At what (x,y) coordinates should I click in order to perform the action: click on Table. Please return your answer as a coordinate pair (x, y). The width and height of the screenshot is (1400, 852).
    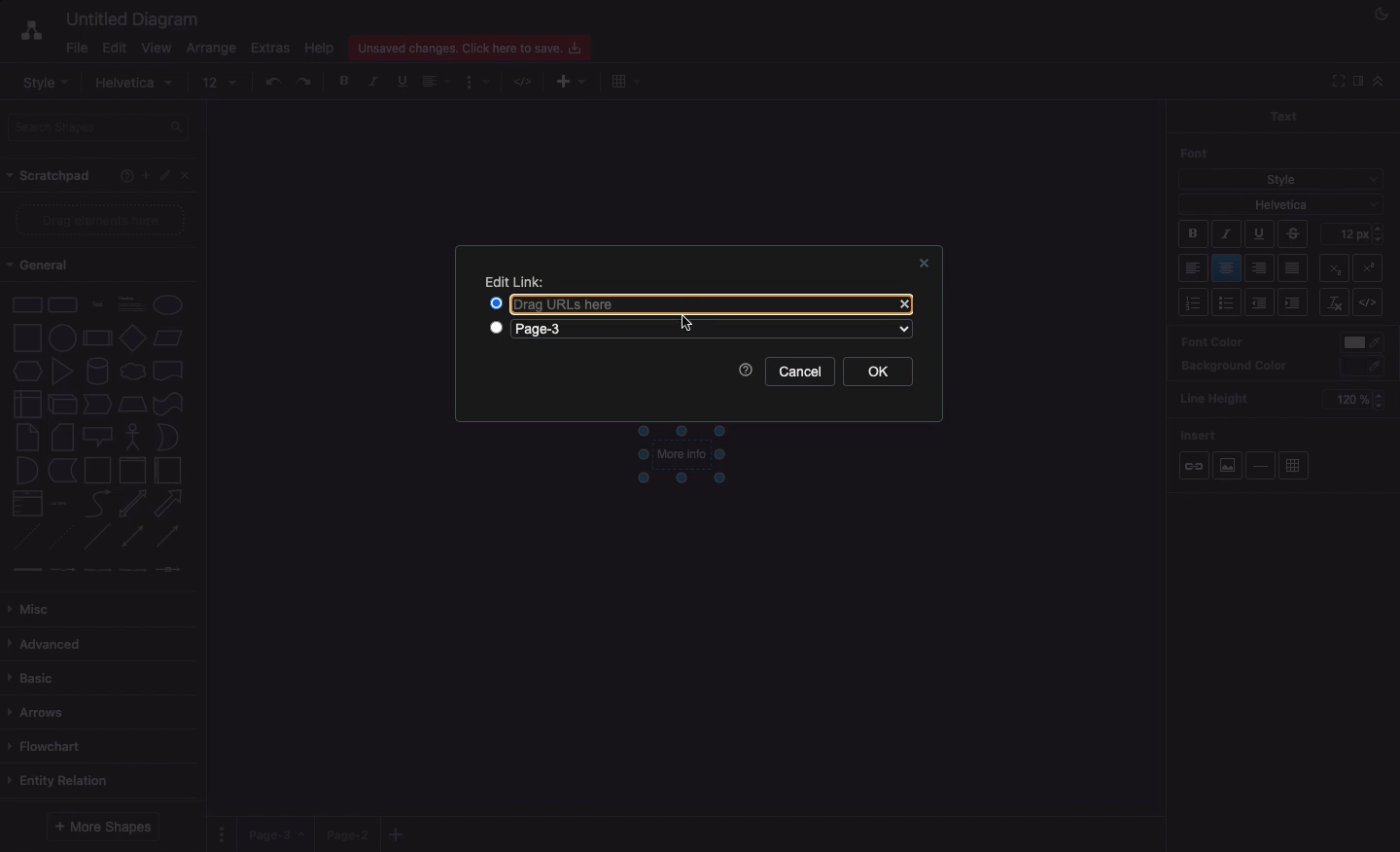
    Looking at the image, I should click on (1294, 467).